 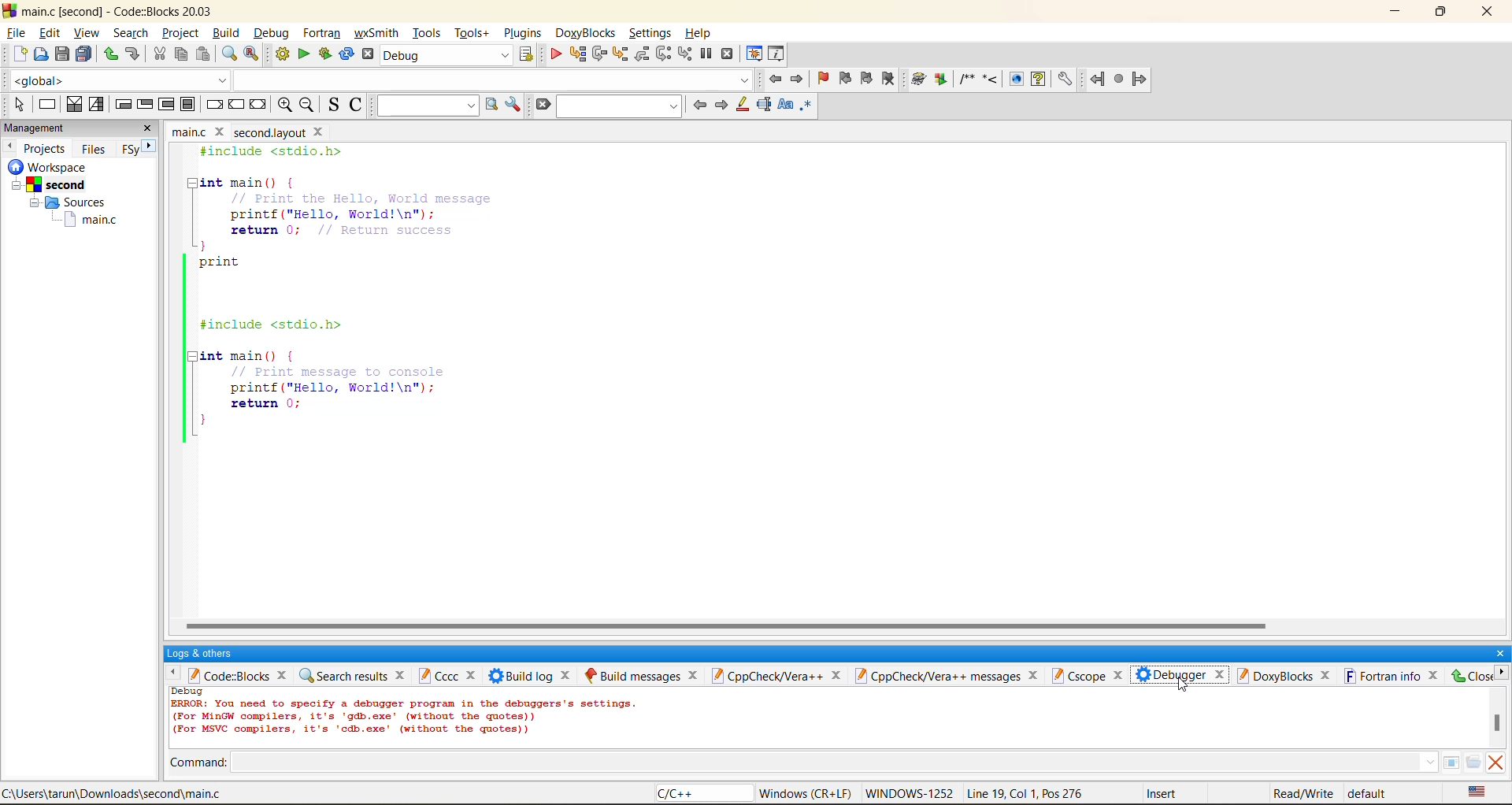 What do you see at coordinates (643, 673) in the screenshot?
I see `build messages` at bounding box center [643, 673].